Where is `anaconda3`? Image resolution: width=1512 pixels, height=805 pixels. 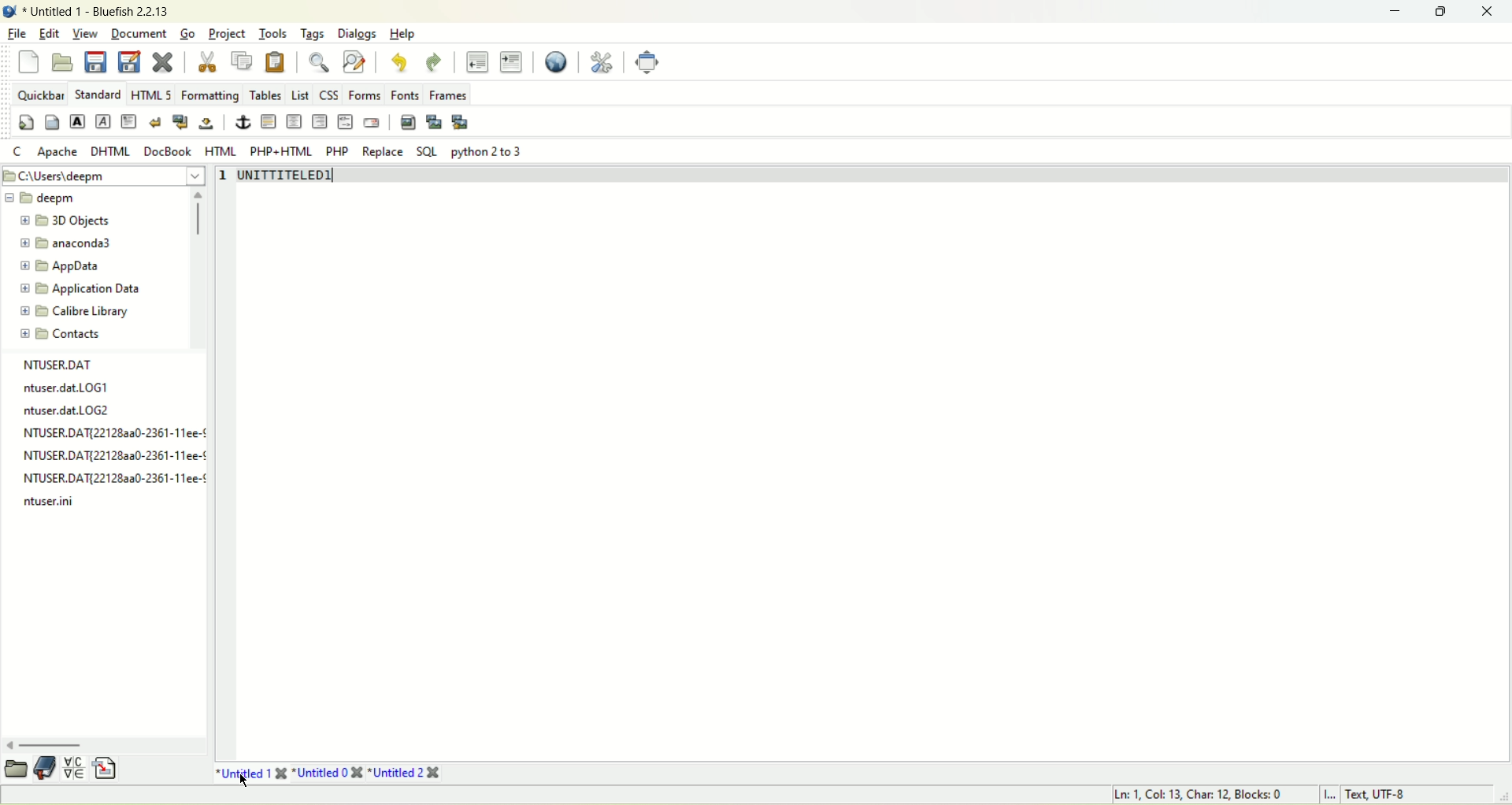 anaconda3 is located at coordinates (65, 242).